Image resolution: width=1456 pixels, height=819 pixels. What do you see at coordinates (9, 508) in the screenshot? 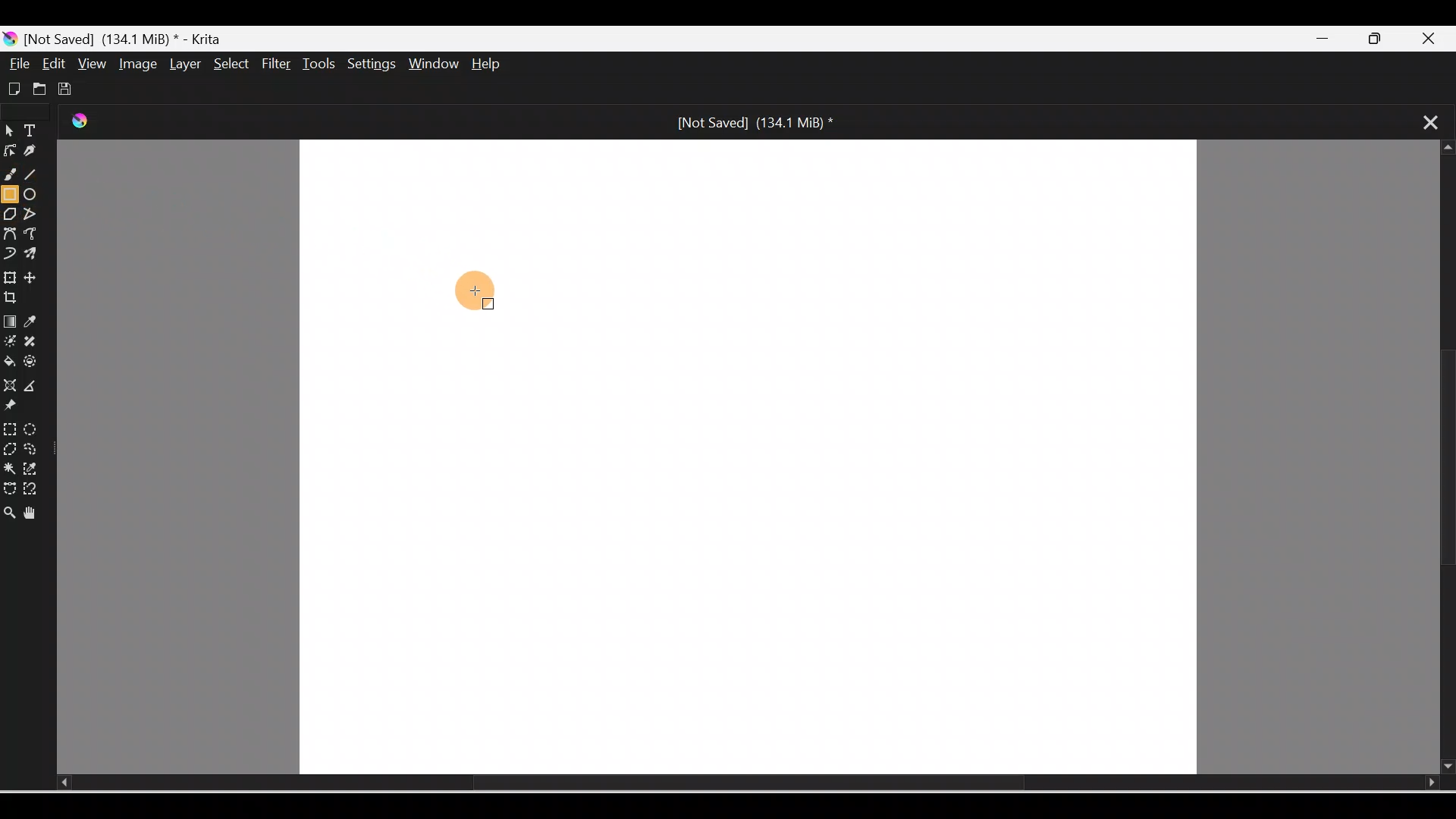
I see `Zoom tool` at bounding box center [9, 508].